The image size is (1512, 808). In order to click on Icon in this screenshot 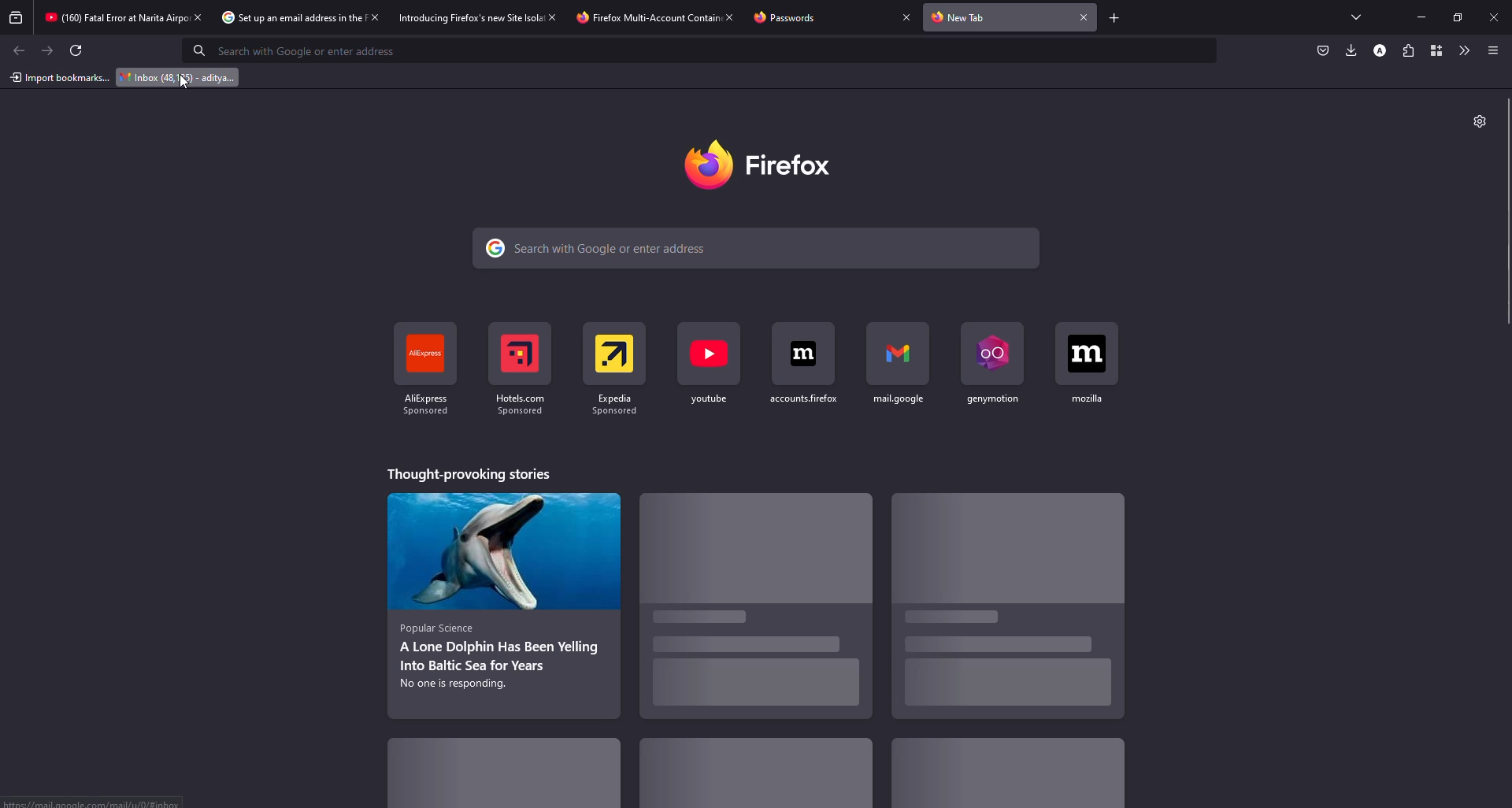, I will do `click(799, 355)`.